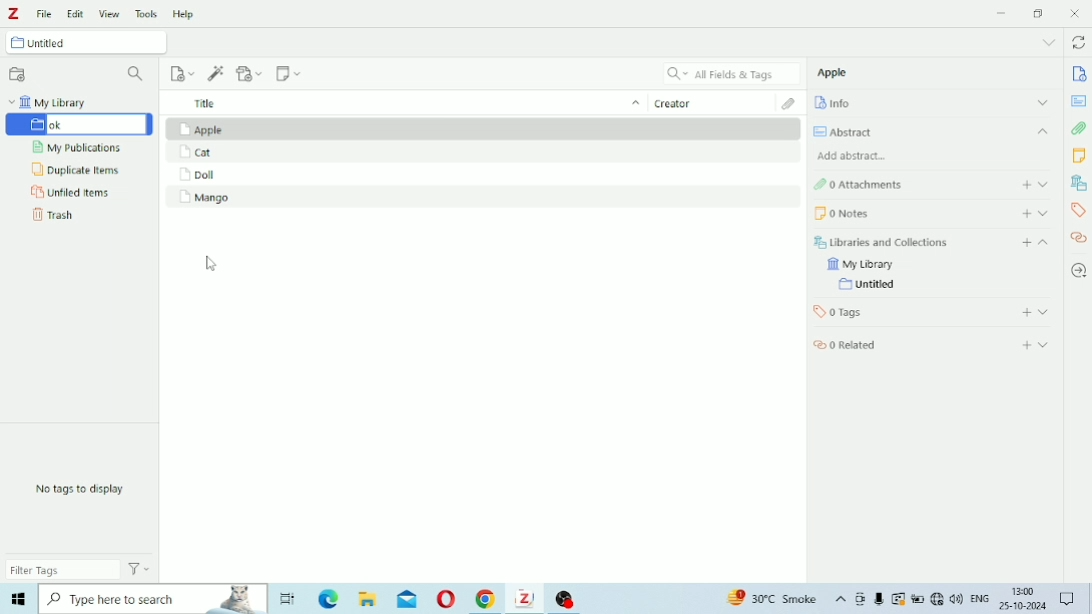  I want to click on Libraries and Collections, so click(1077, 182).